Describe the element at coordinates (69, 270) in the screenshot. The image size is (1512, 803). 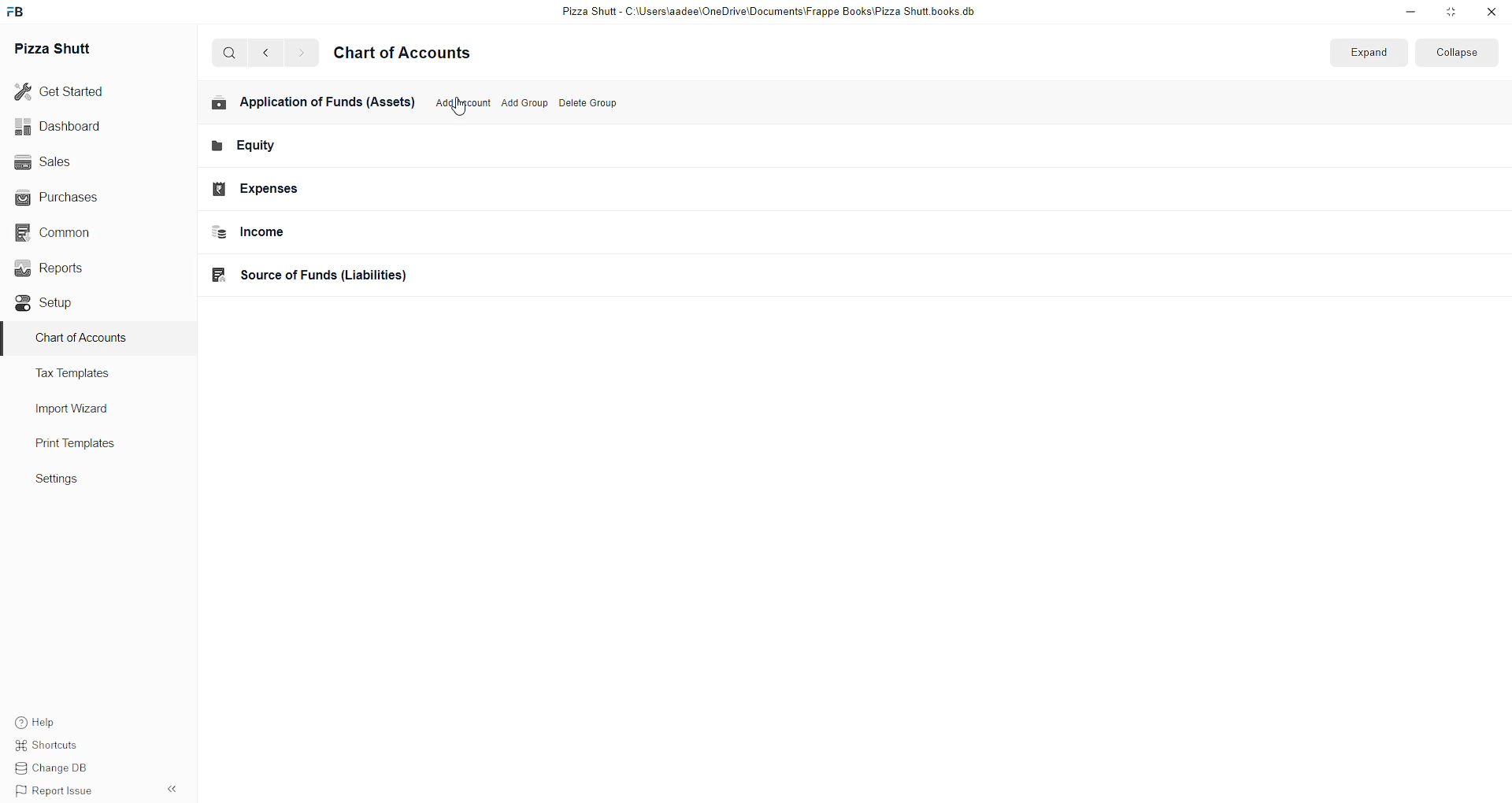
I see `Reports` at that location.